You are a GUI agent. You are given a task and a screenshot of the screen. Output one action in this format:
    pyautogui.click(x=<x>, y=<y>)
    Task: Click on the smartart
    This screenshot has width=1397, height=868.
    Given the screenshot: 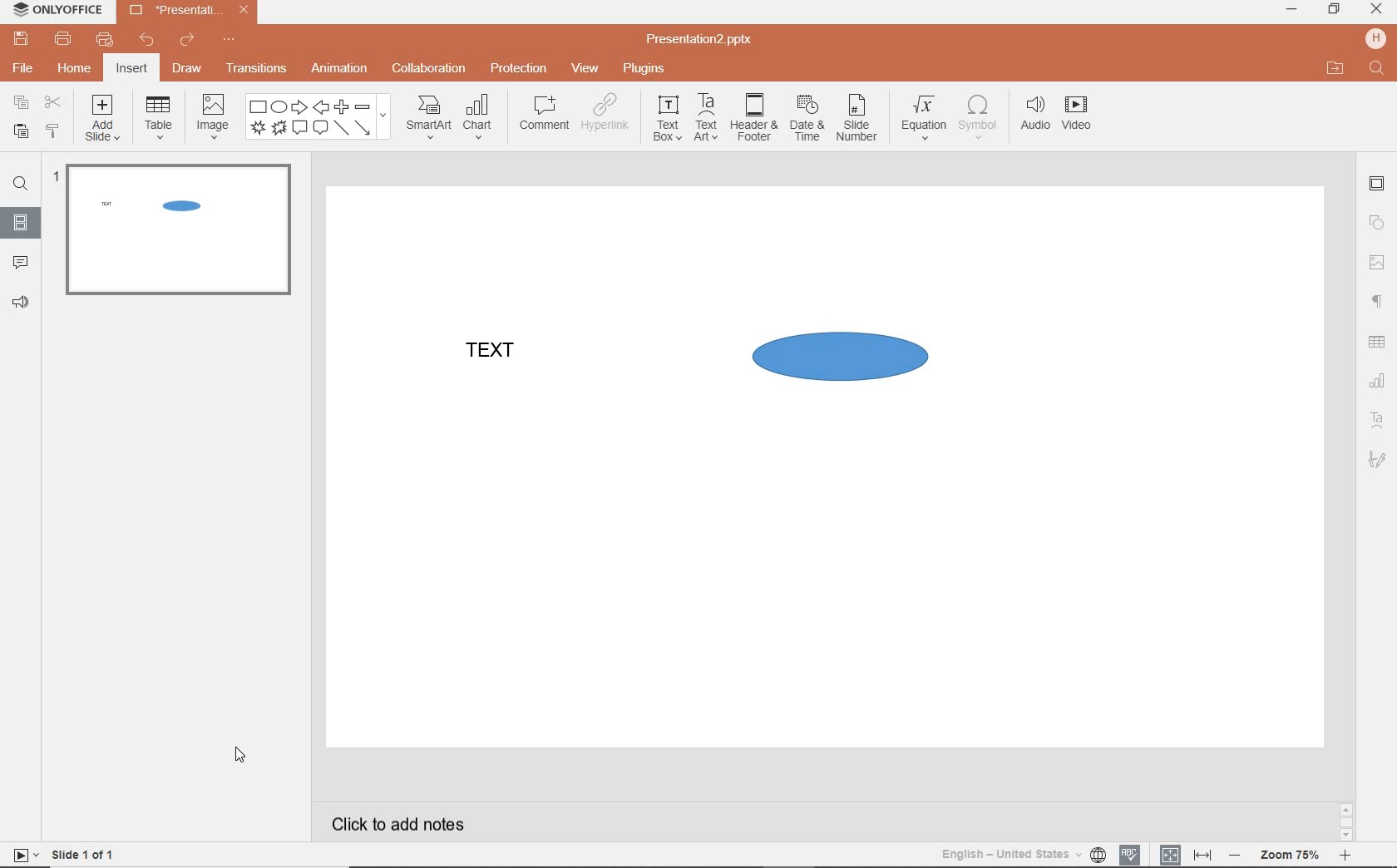 What is the action you would take?
    pyautogui.click(x=428, y=116)
    